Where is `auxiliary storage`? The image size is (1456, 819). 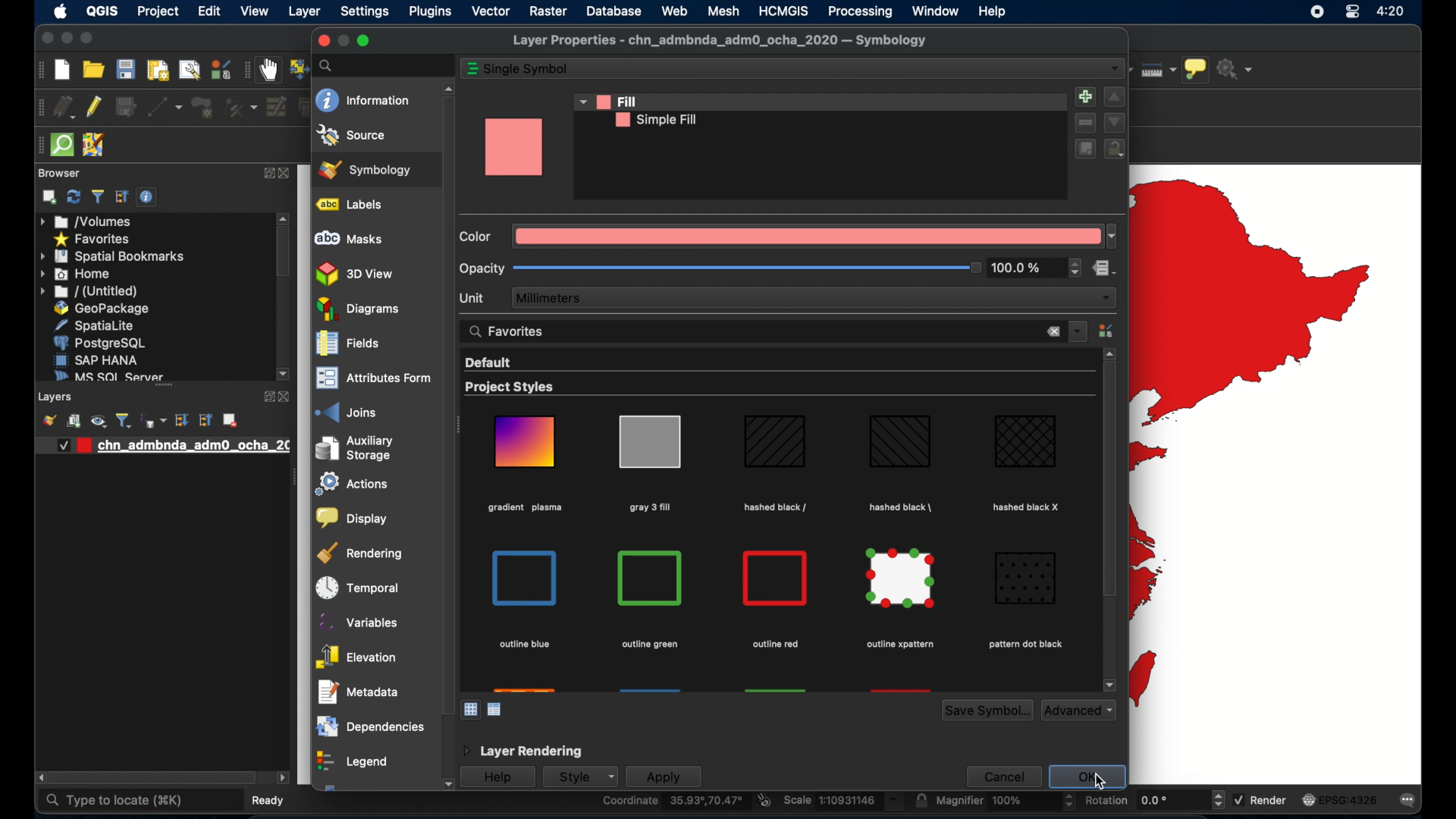 auxiliary storage is located at coordinates (354, 448).